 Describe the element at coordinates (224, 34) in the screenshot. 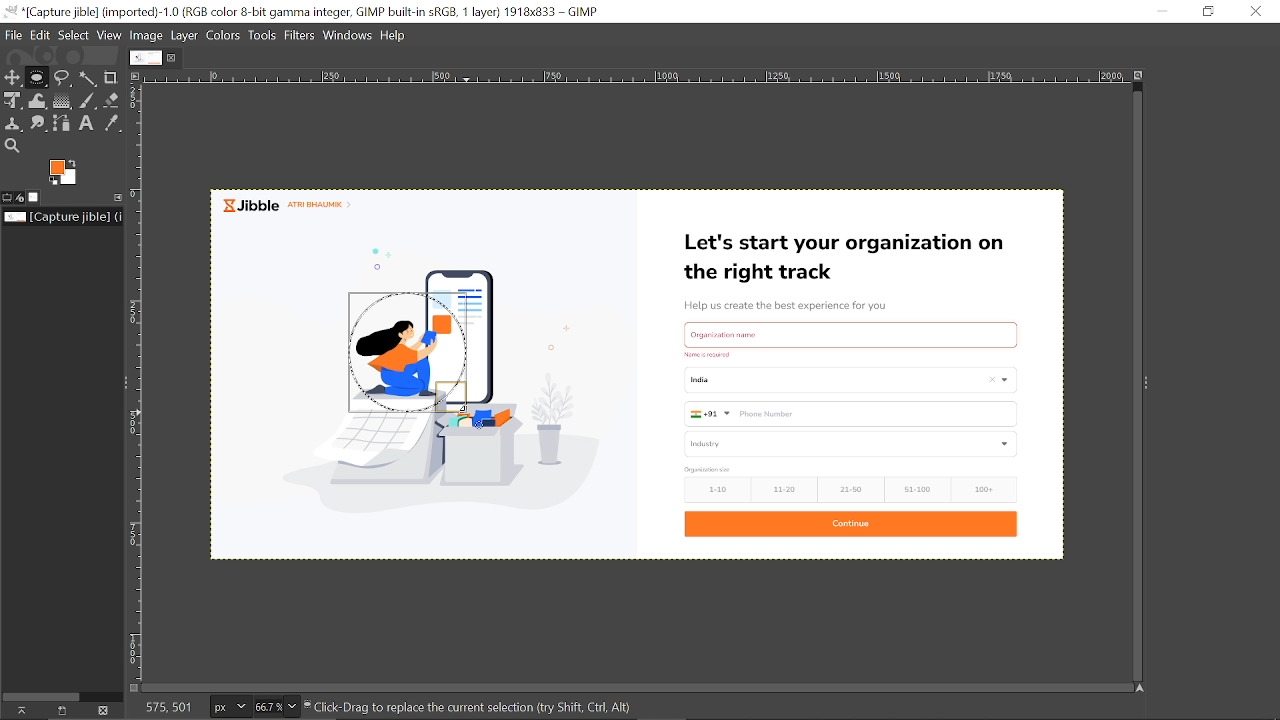

I see `Colors` at that location.